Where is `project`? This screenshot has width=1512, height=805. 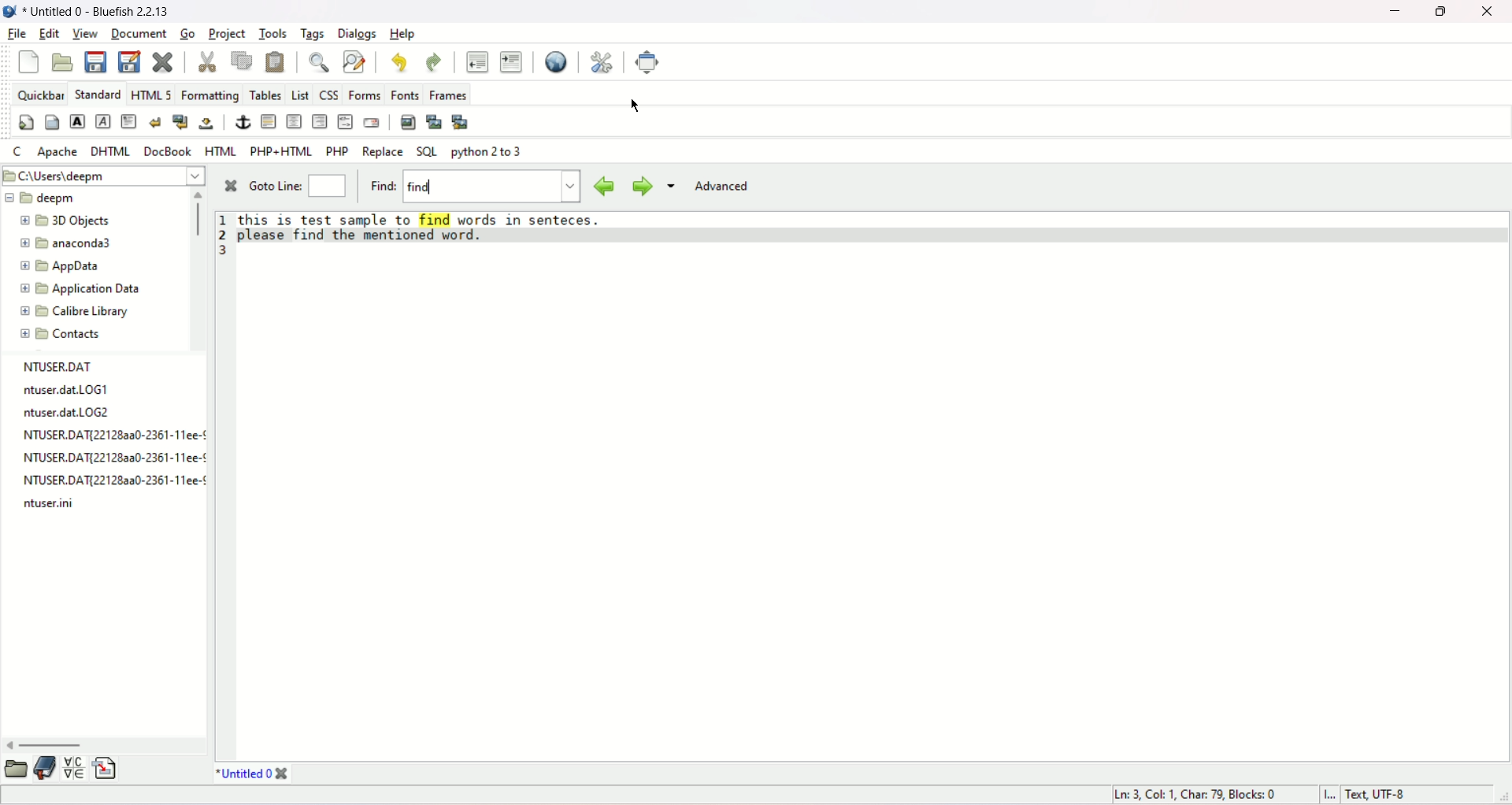 project is located at coordinates (228, 34).